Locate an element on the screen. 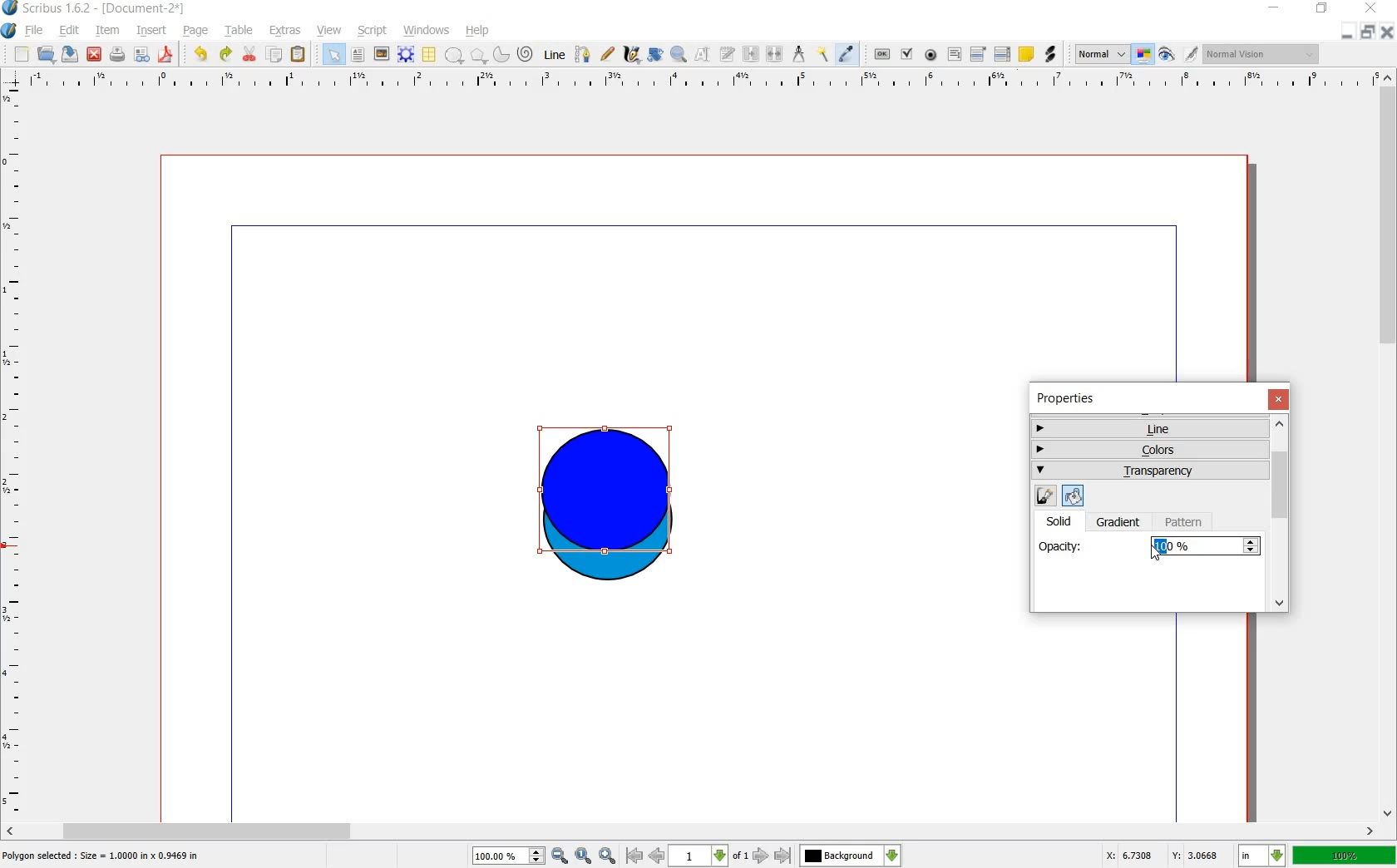 This screenshot has width=1397, height=868. link text frames is located at coordinates (752, 55).